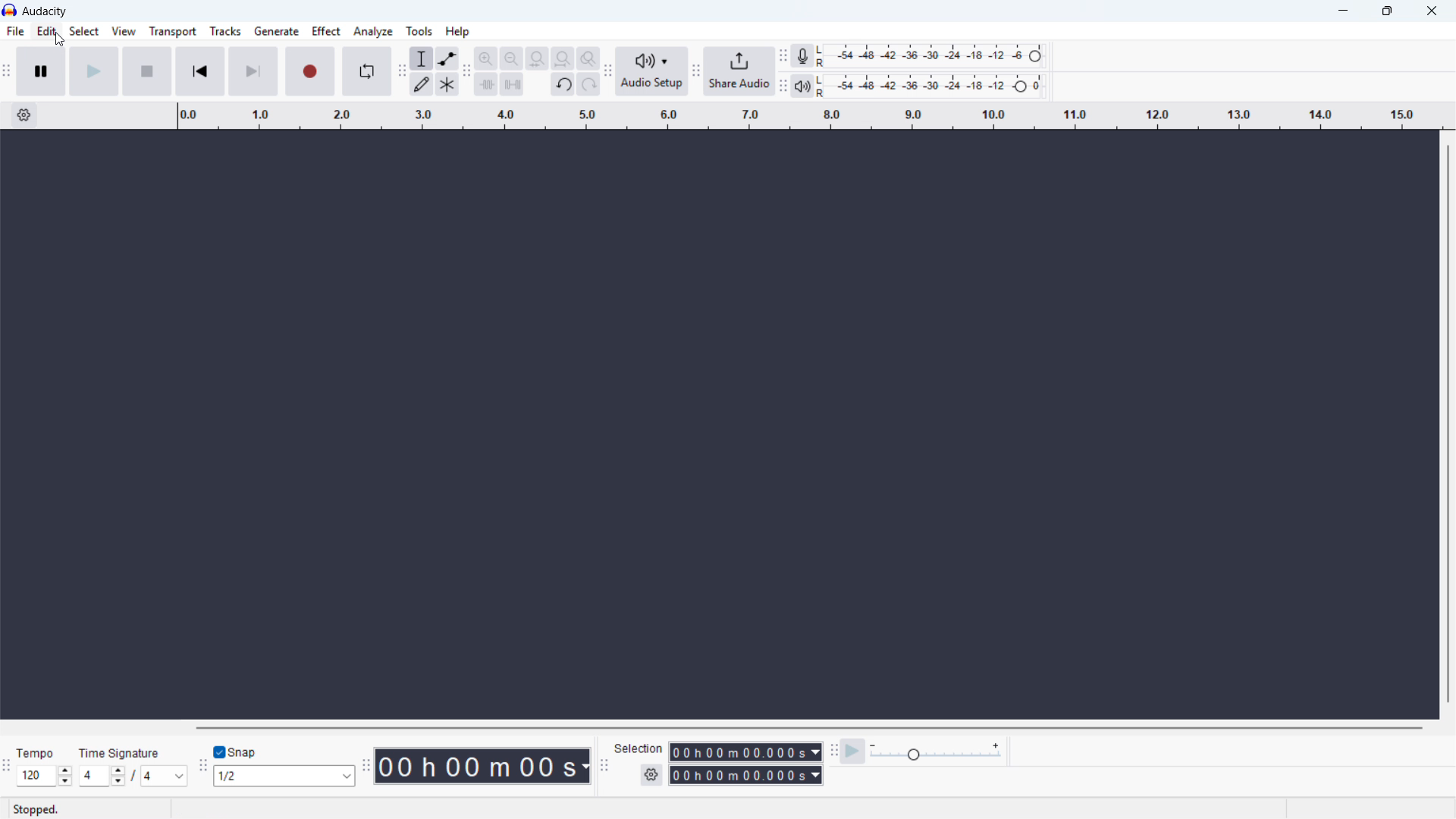 This screenshot has height=819, width=1456. I want to click on recording level, so click(934, 56).